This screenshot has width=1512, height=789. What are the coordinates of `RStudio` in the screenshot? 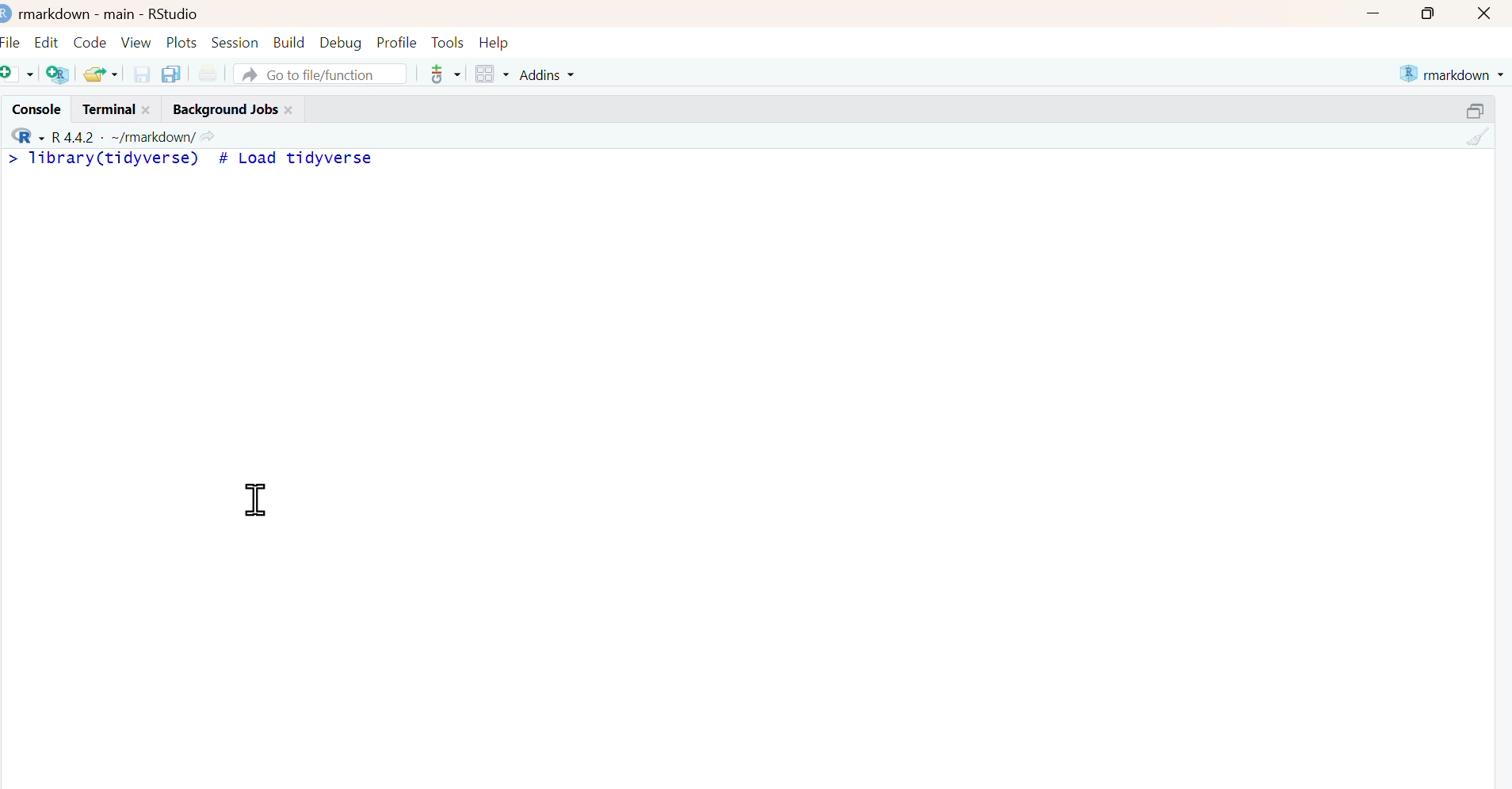 It's located at (174, 12).